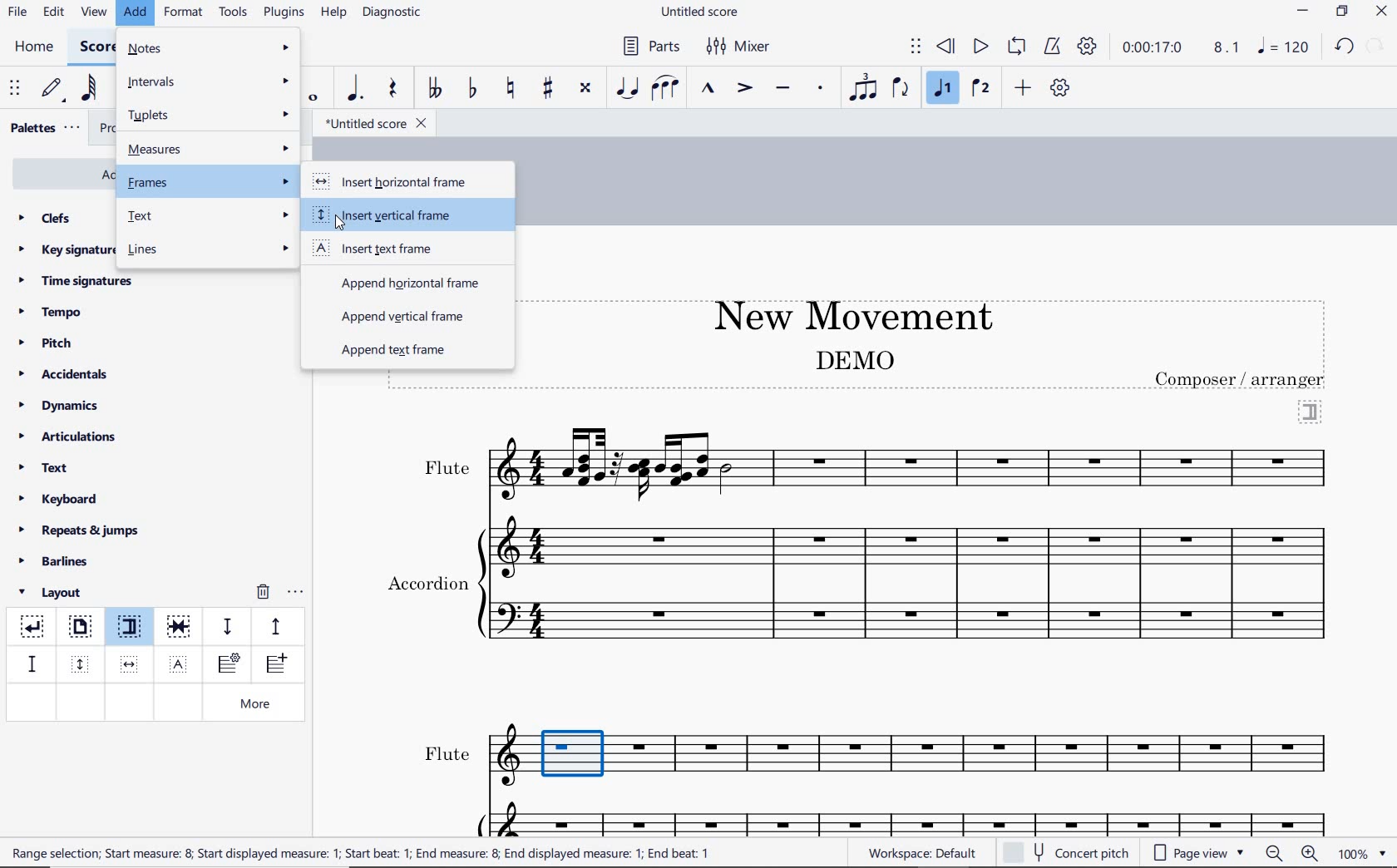 This screenshot has height=868, width=1397. What do you see at coordinates (1199, 853) in the screenshot?
I see `page view` at bounding box center [1199, 853].